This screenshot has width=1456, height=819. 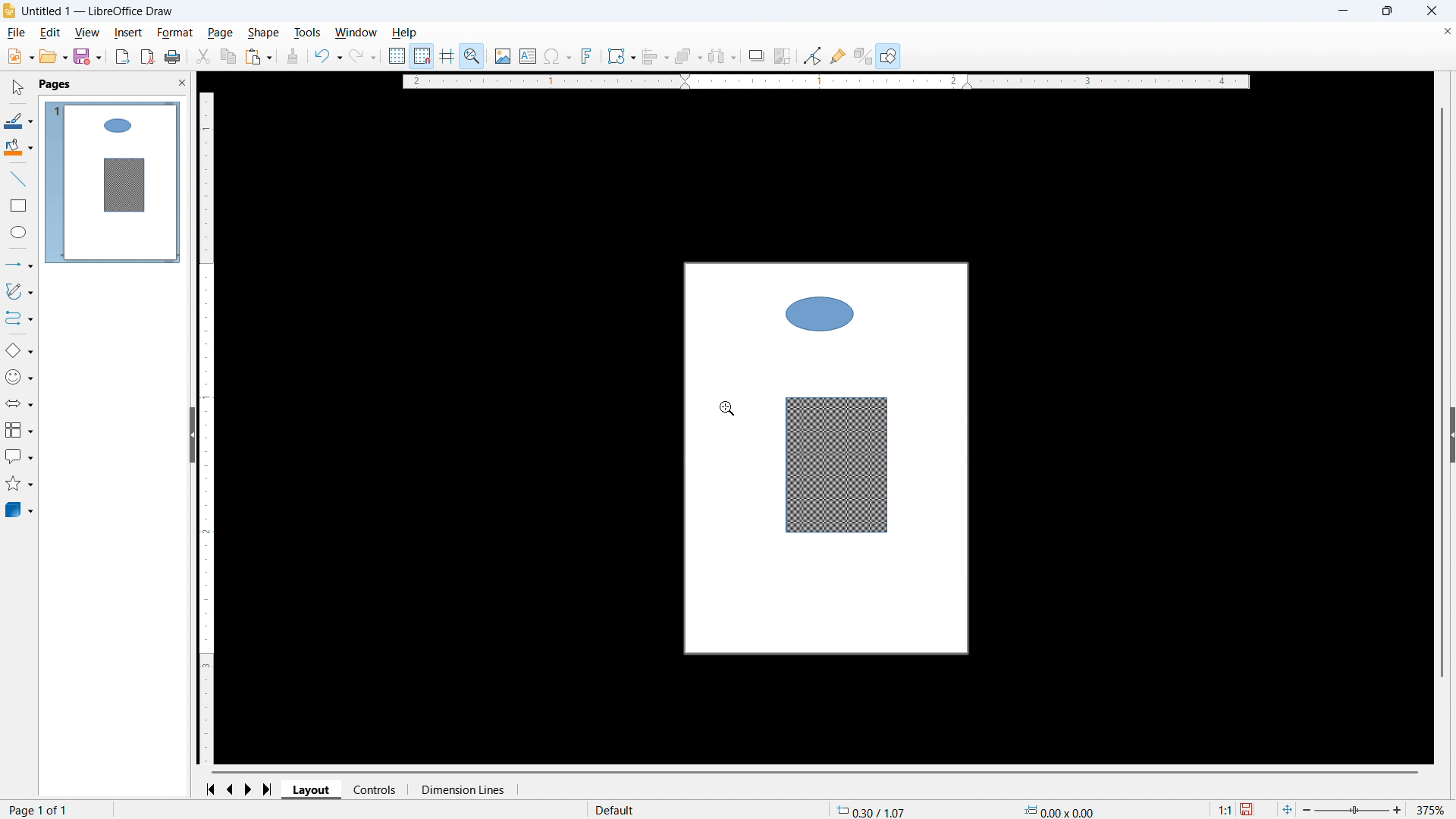 What do you see at coordinates (1059, 810) in the screenshot?
I see `Object dimensions ` at bounding box center [1059, 810].